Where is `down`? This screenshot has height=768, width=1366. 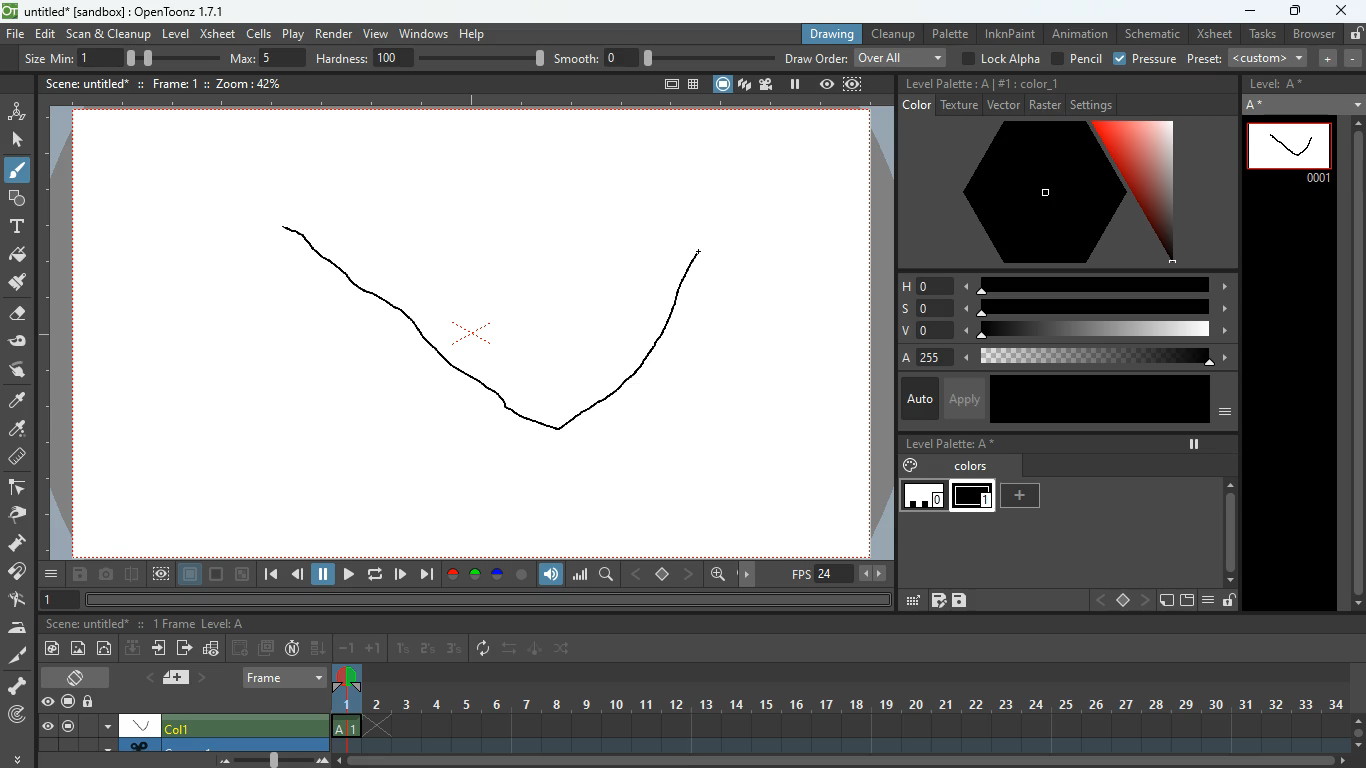 down is located at coordinates (319, 647).